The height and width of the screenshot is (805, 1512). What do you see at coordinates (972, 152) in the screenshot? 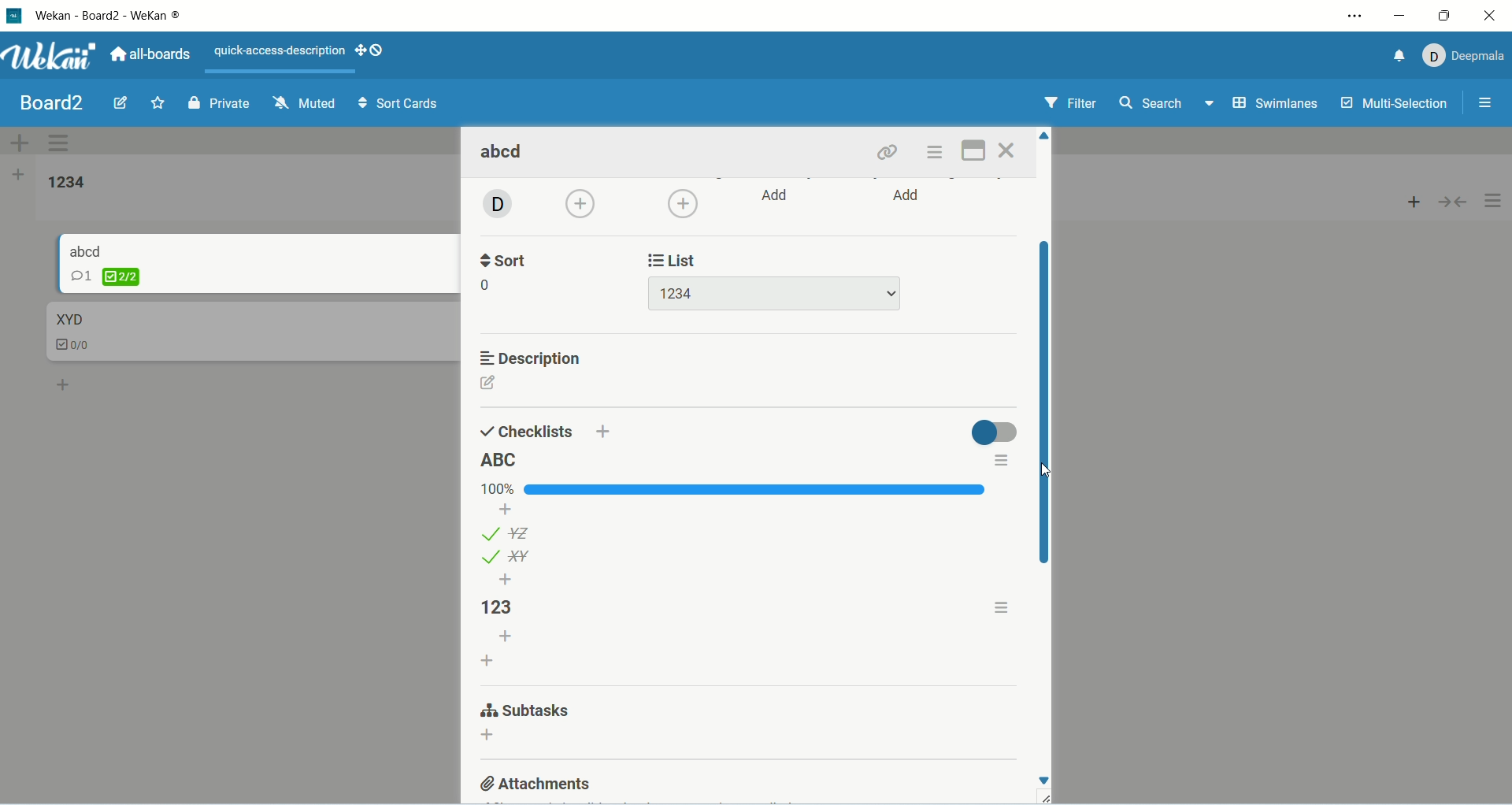
I see `maximize` at bounding box center [972, 152].